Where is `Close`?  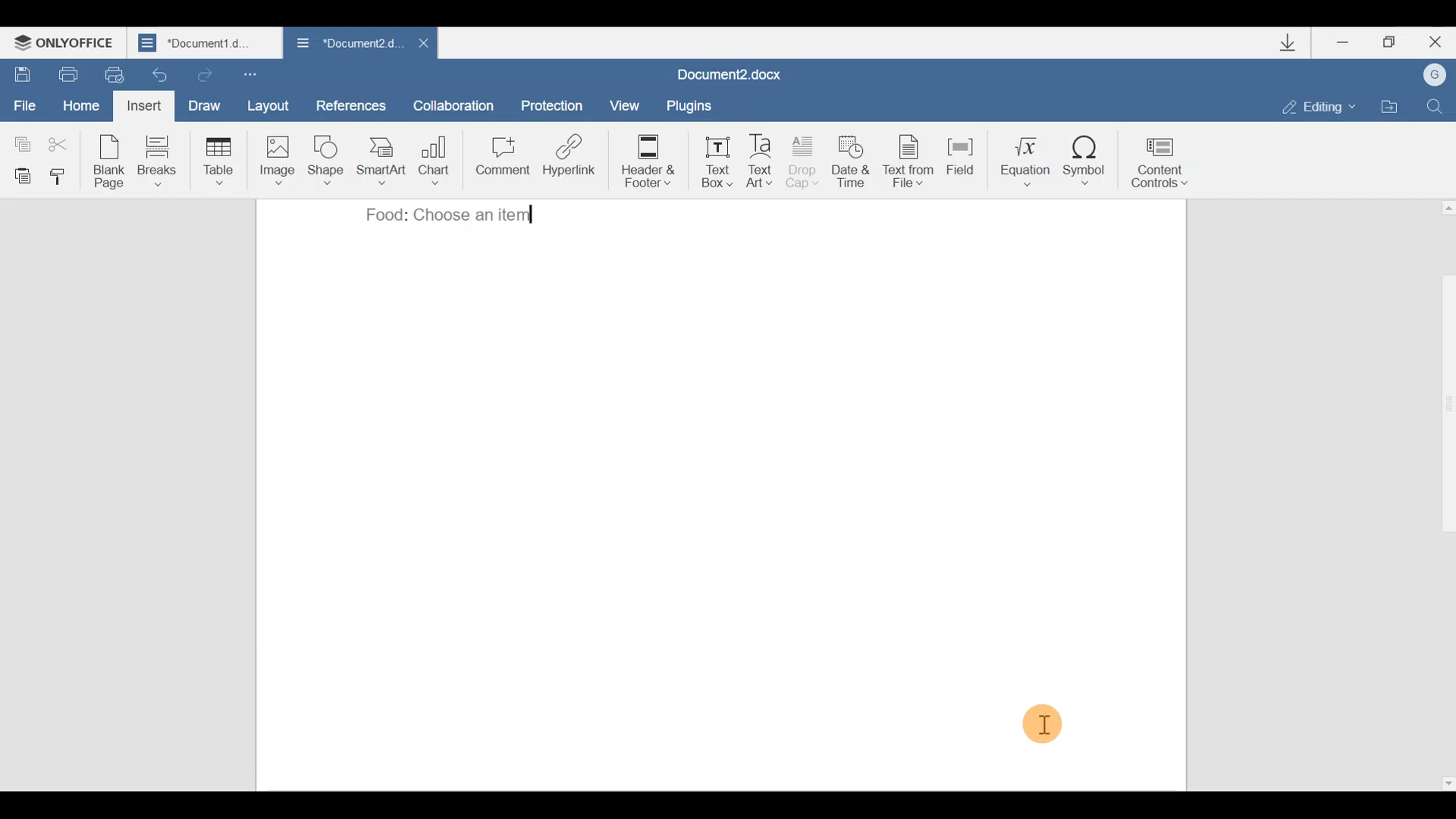
Close is located at coordinates (419, 42).